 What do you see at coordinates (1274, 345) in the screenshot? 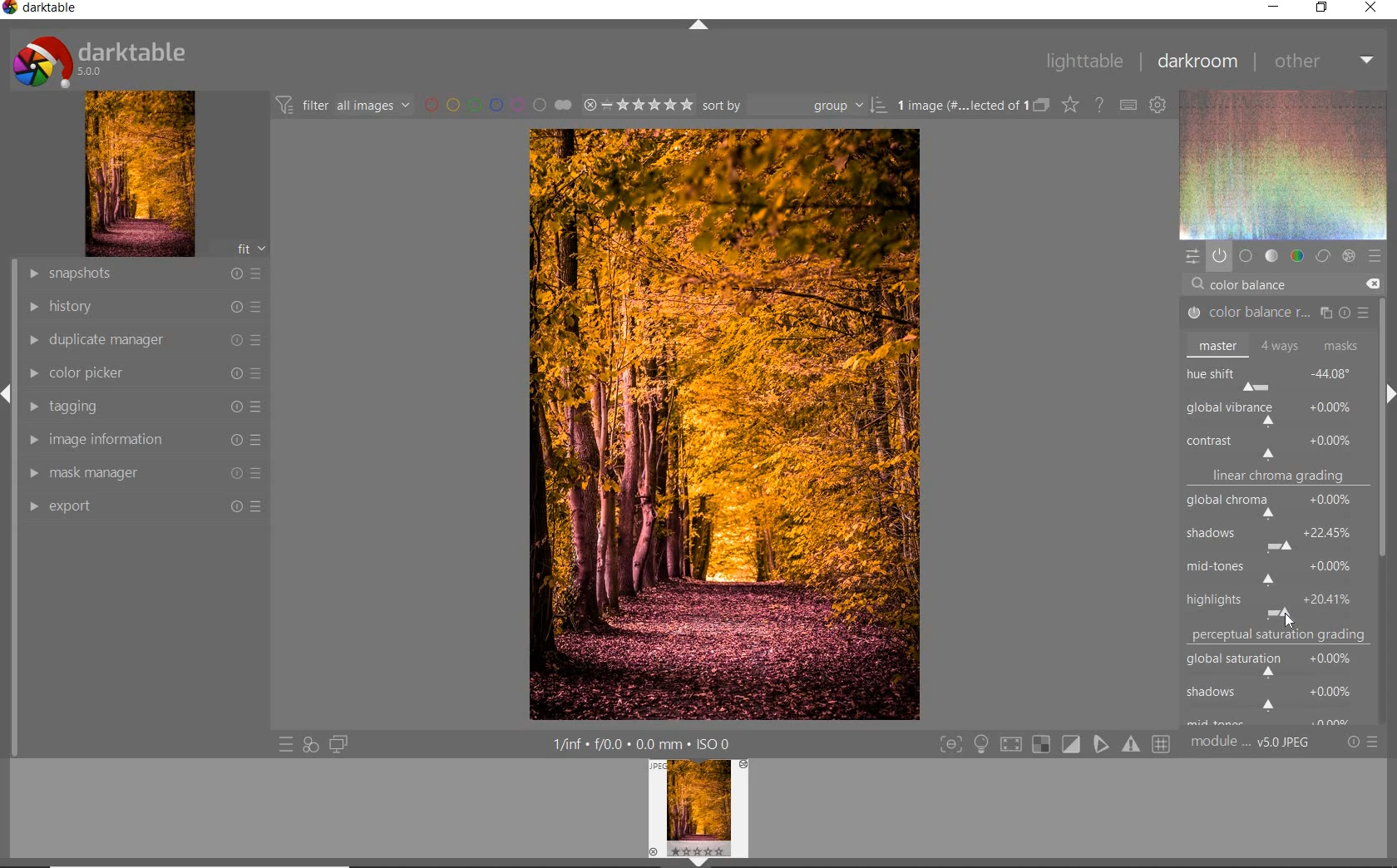
I see `master` at bounding box center [1274, 345].